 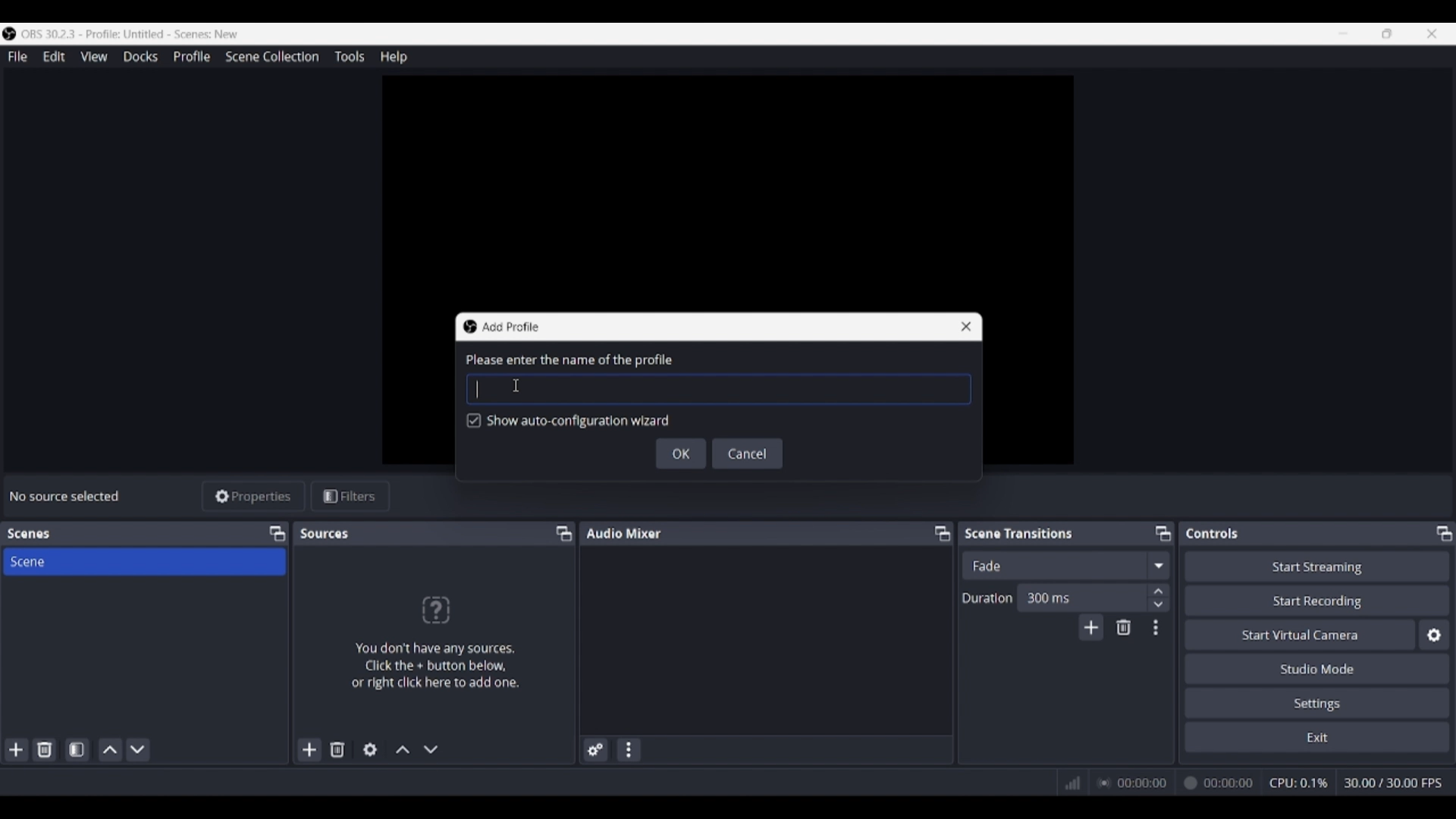 I want to click on Float controls panel, so click(x=1444, y=533).